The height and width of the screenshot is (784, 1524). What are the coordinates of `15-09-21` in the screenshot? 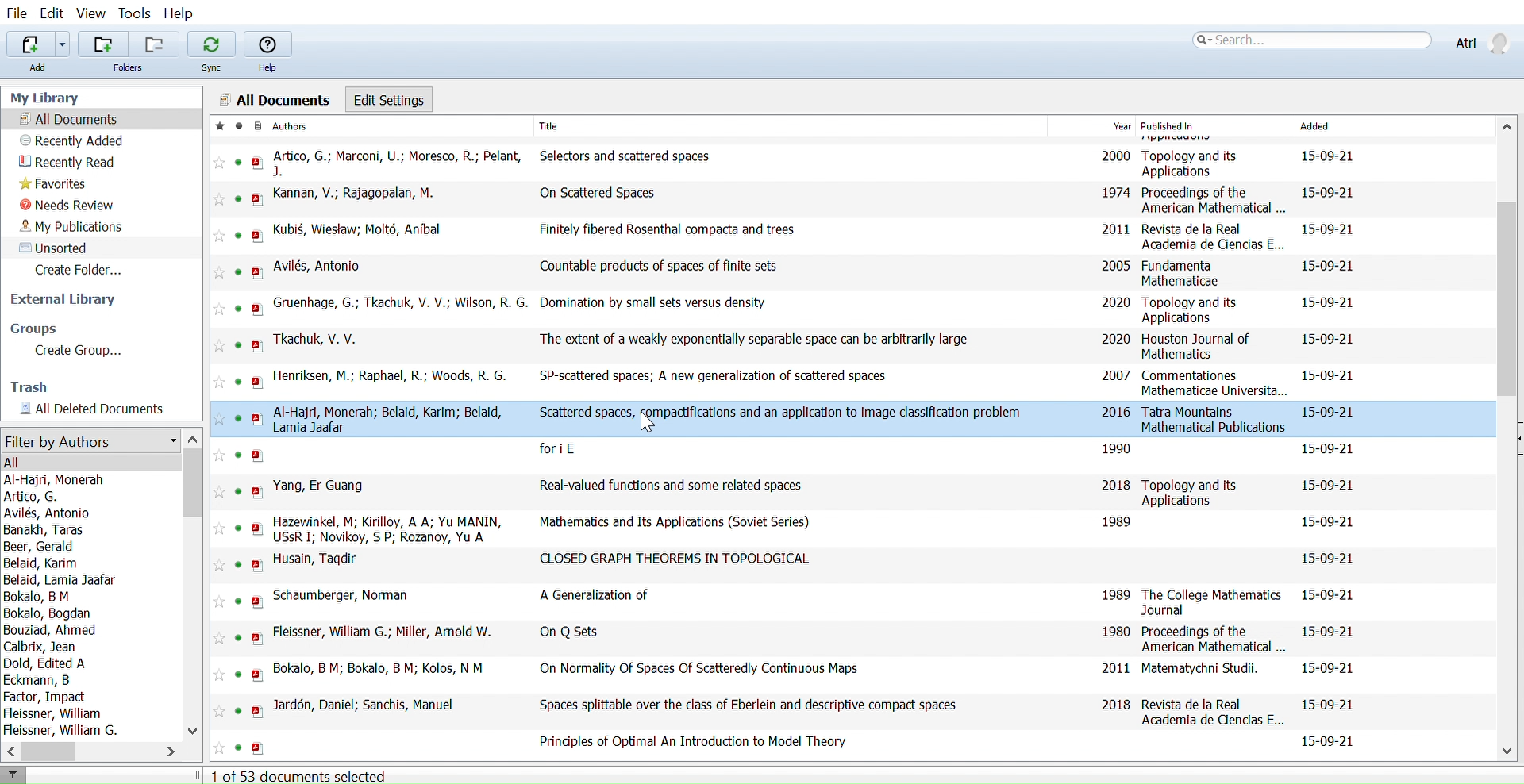 It's located at (1326, 522).